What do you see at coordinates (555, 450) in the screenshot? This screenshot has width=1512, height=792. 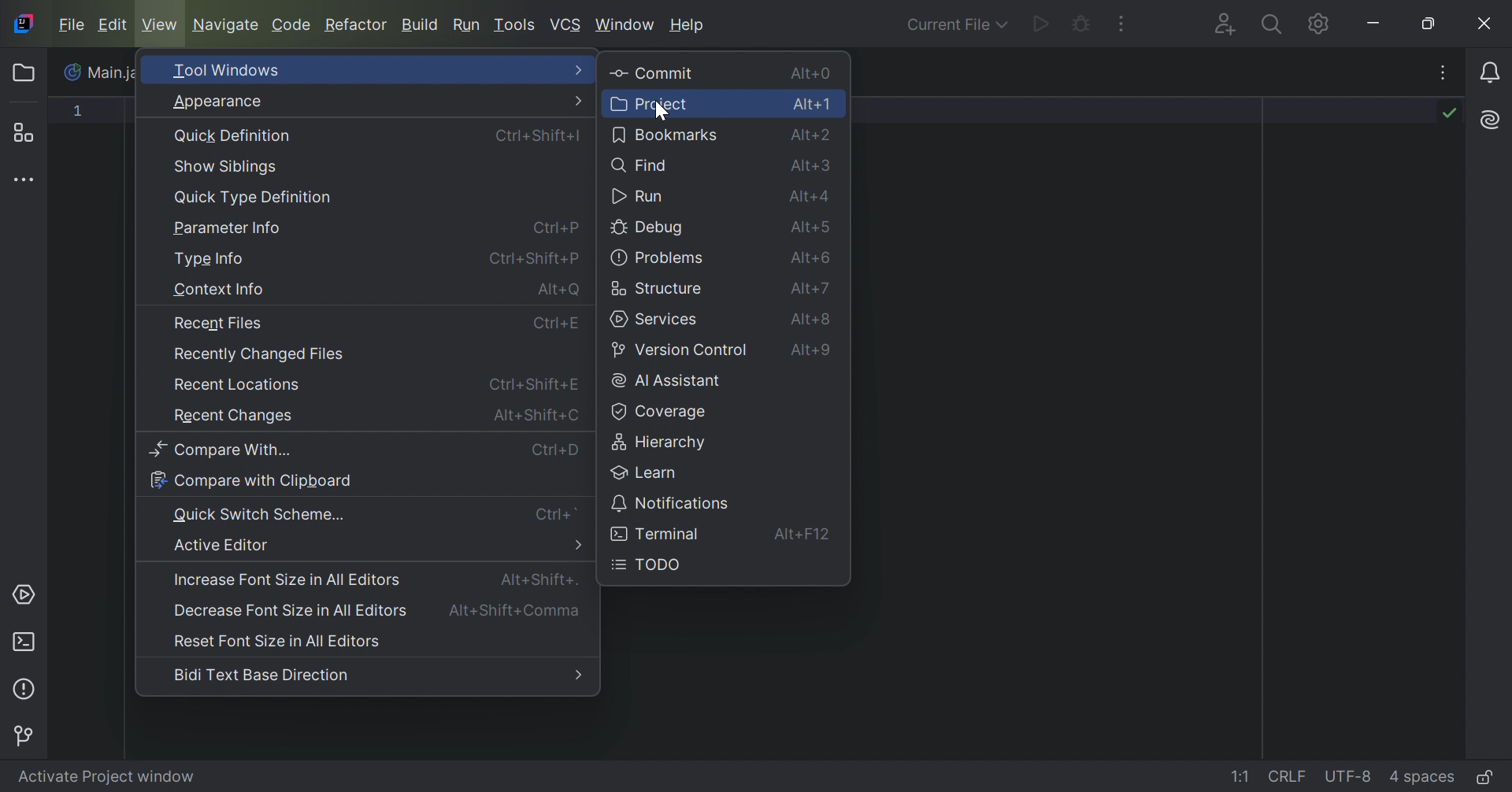 I see `Ctrl+D` at bounding box center [555, 450].